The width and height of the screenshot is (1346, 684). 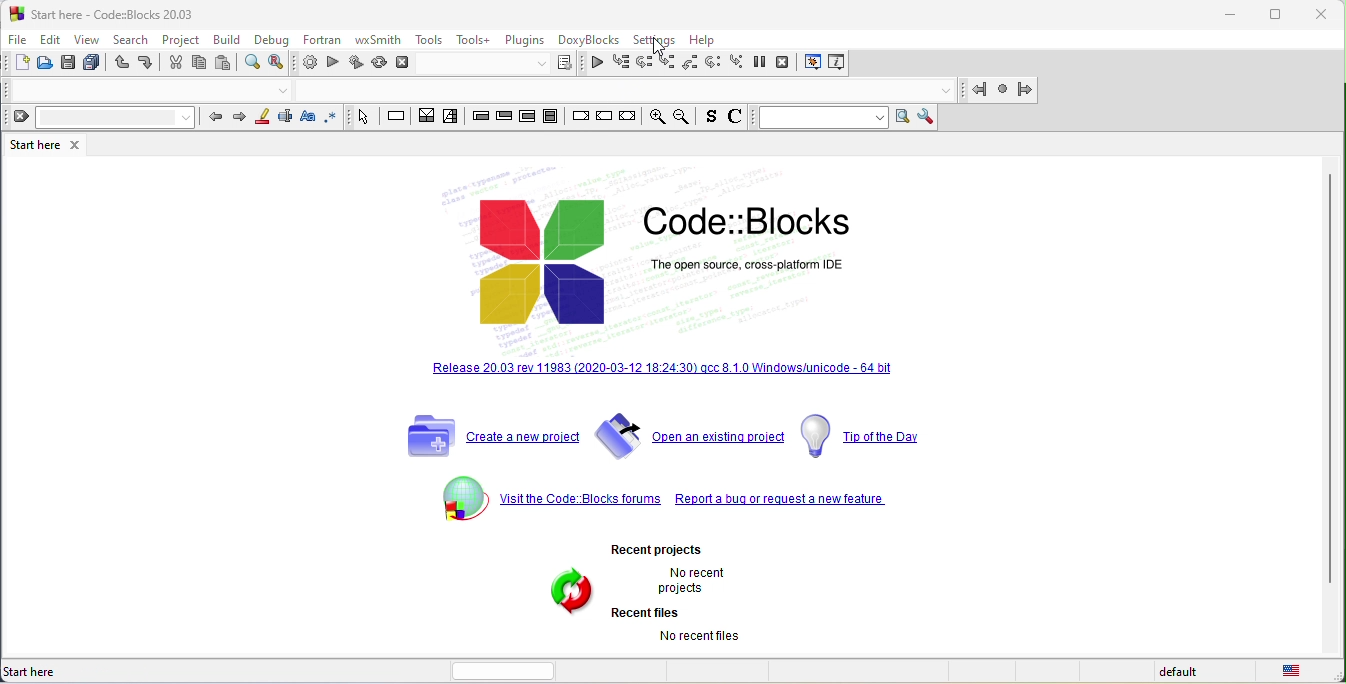 I want to click on continue, so click(x=602, y=66).